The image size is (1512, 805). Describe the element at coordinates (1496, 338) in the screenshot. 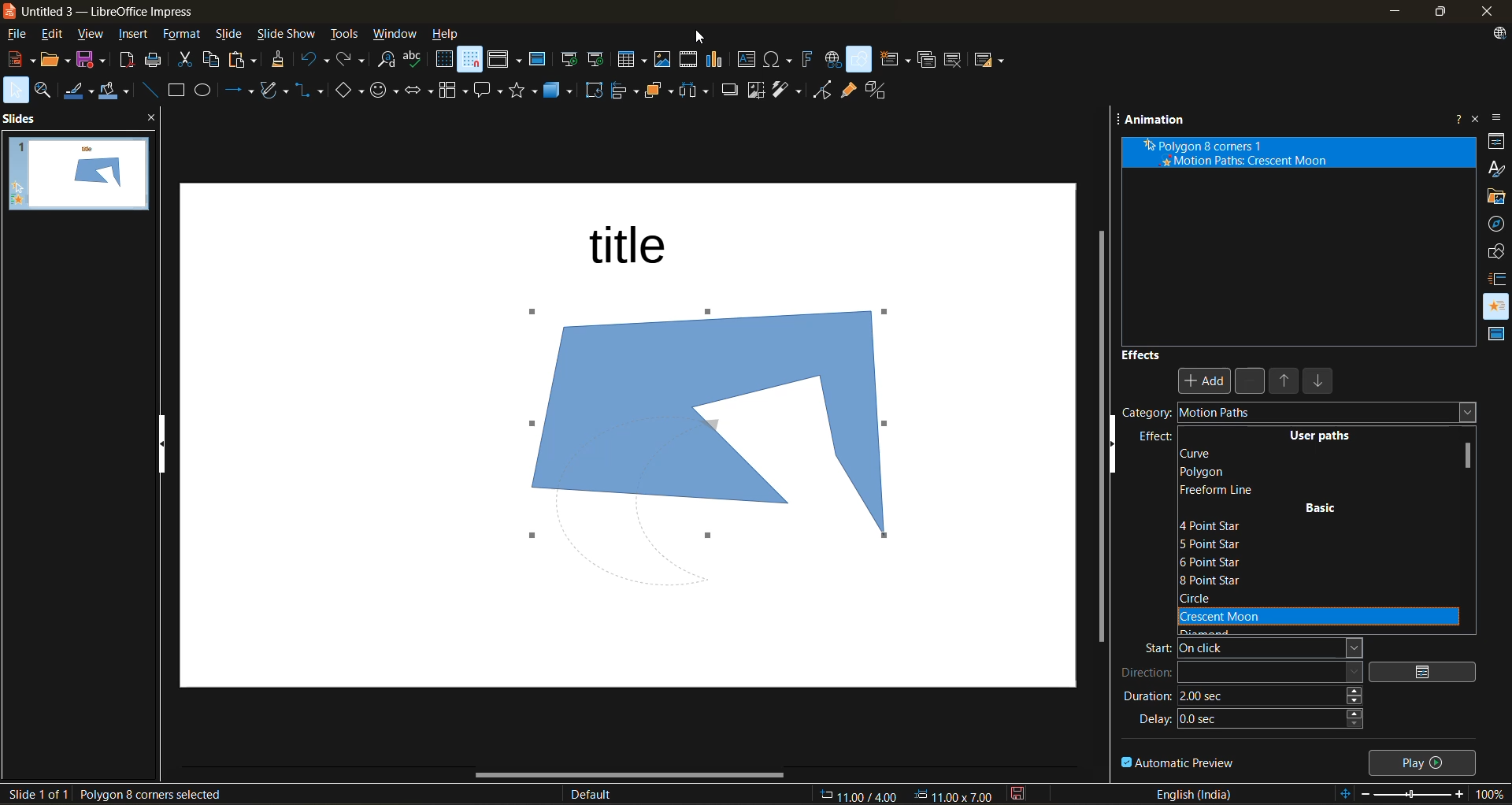

I see `master slides` at that location.